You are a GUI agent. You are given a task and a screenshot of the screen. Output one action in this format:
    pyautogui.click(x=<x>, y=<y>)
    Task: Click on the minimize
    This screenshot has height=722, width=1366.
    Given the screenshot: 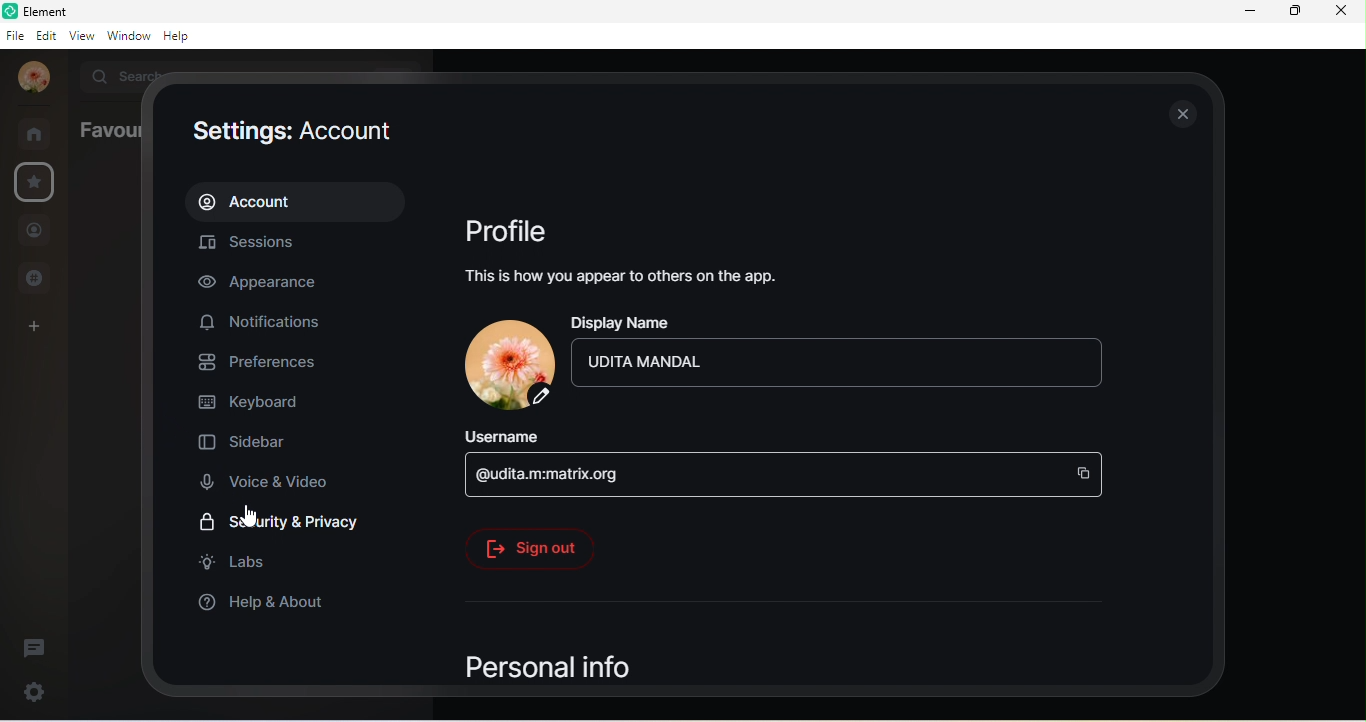 What is the action you would take?
    pyautogui.click(x=1252, y=11)
    